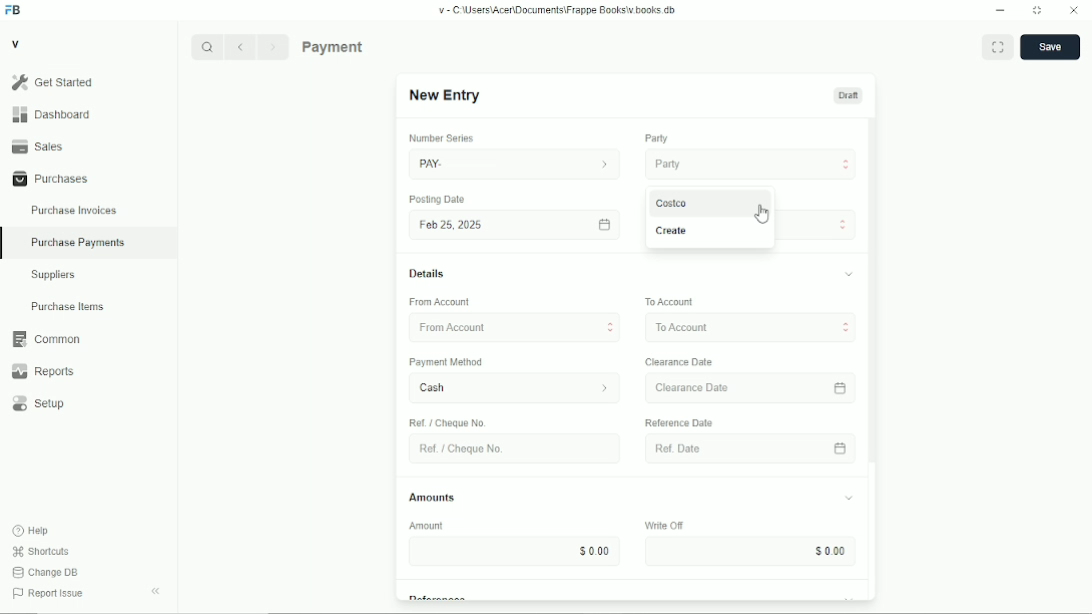  Describe the element at coordinates (427, 274) in the screenshot. I see `Details` at that location.